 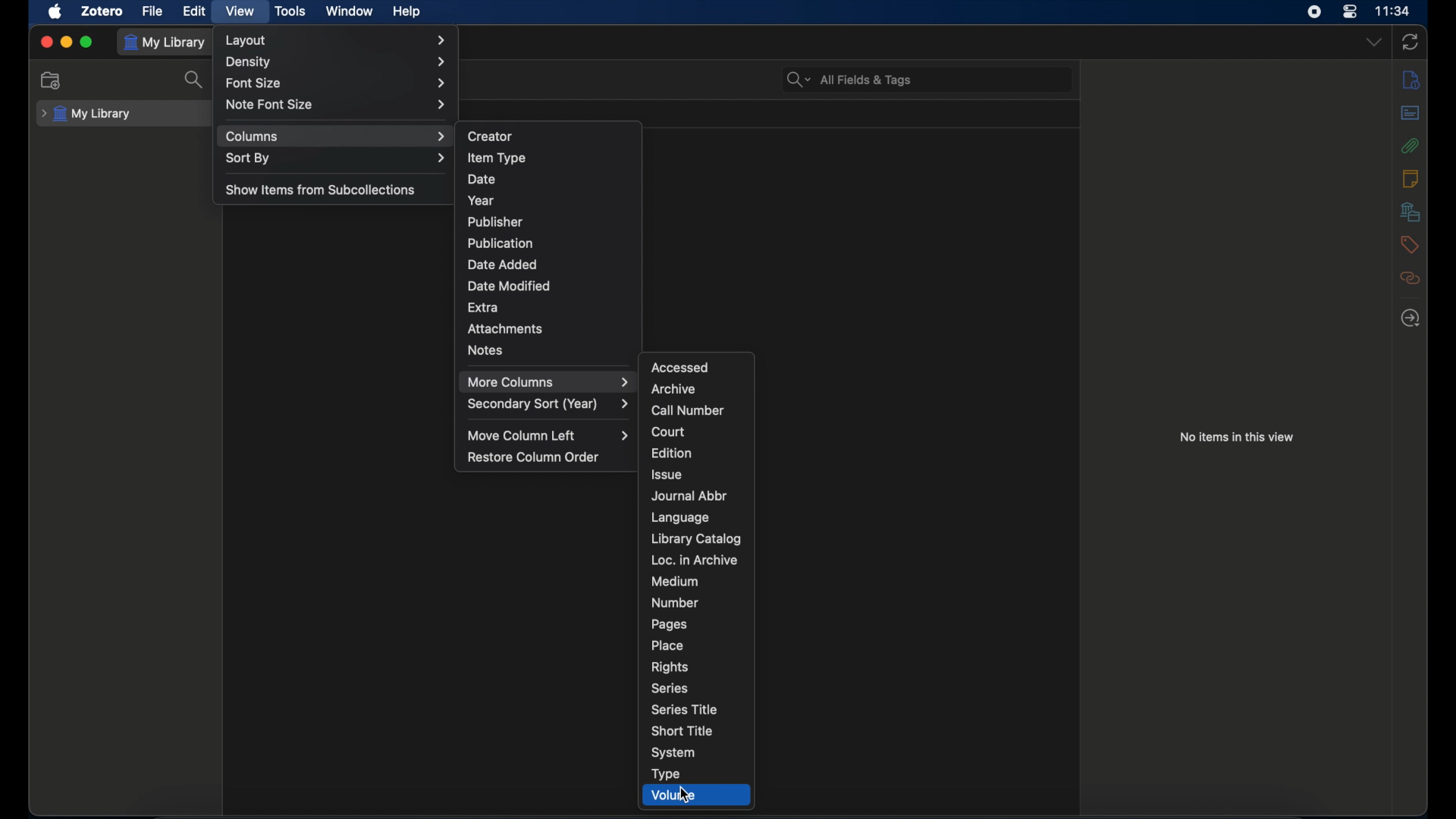 I want to click on attachments, so click(x=1410, y=146).